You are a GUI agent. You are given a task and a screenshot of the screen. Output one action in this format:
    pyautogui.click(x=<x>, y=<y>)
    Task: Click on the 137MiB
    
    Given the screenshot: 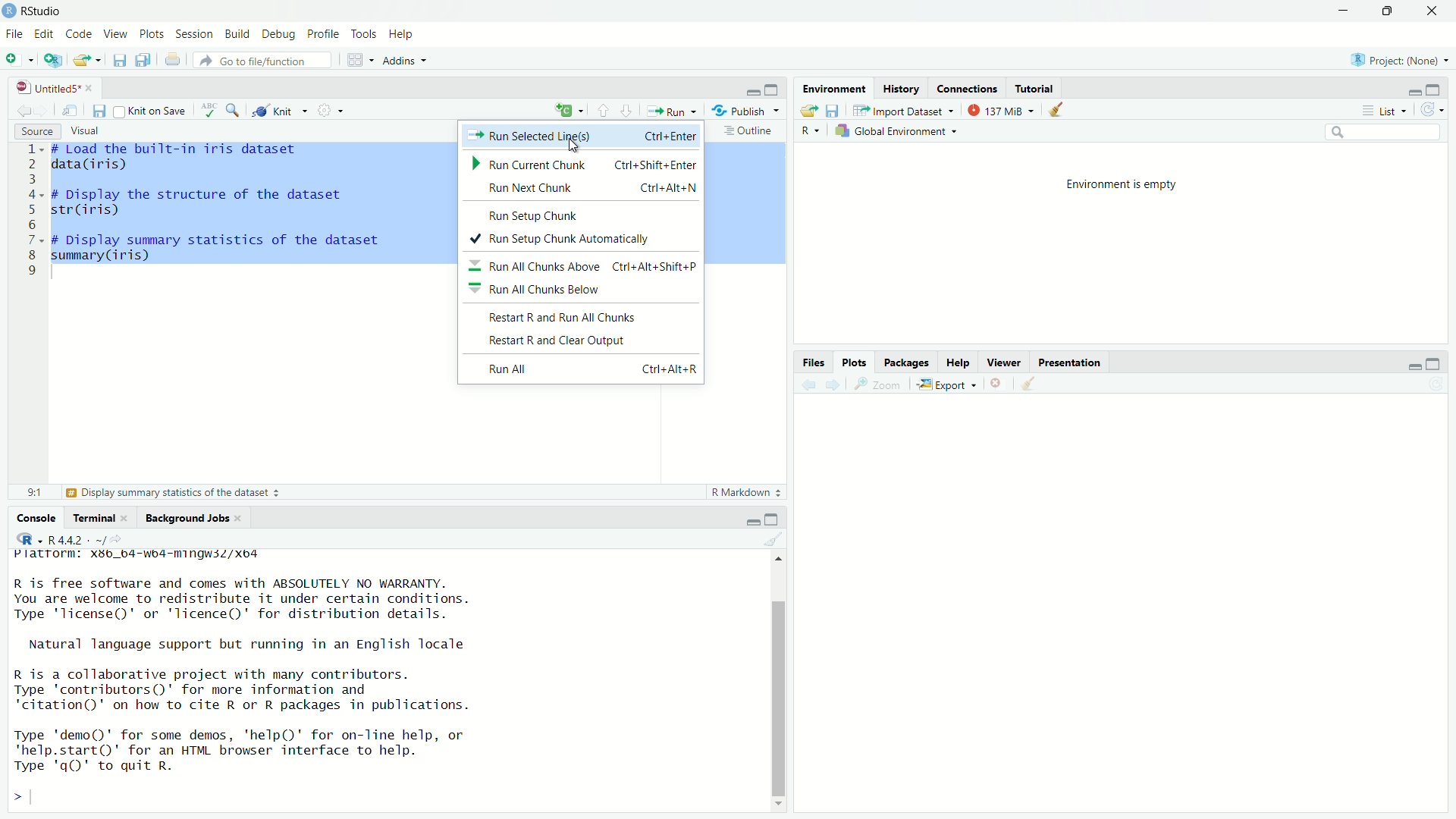 What is the action you would take?
    pyautogui.click(x=1000, y=109)
    